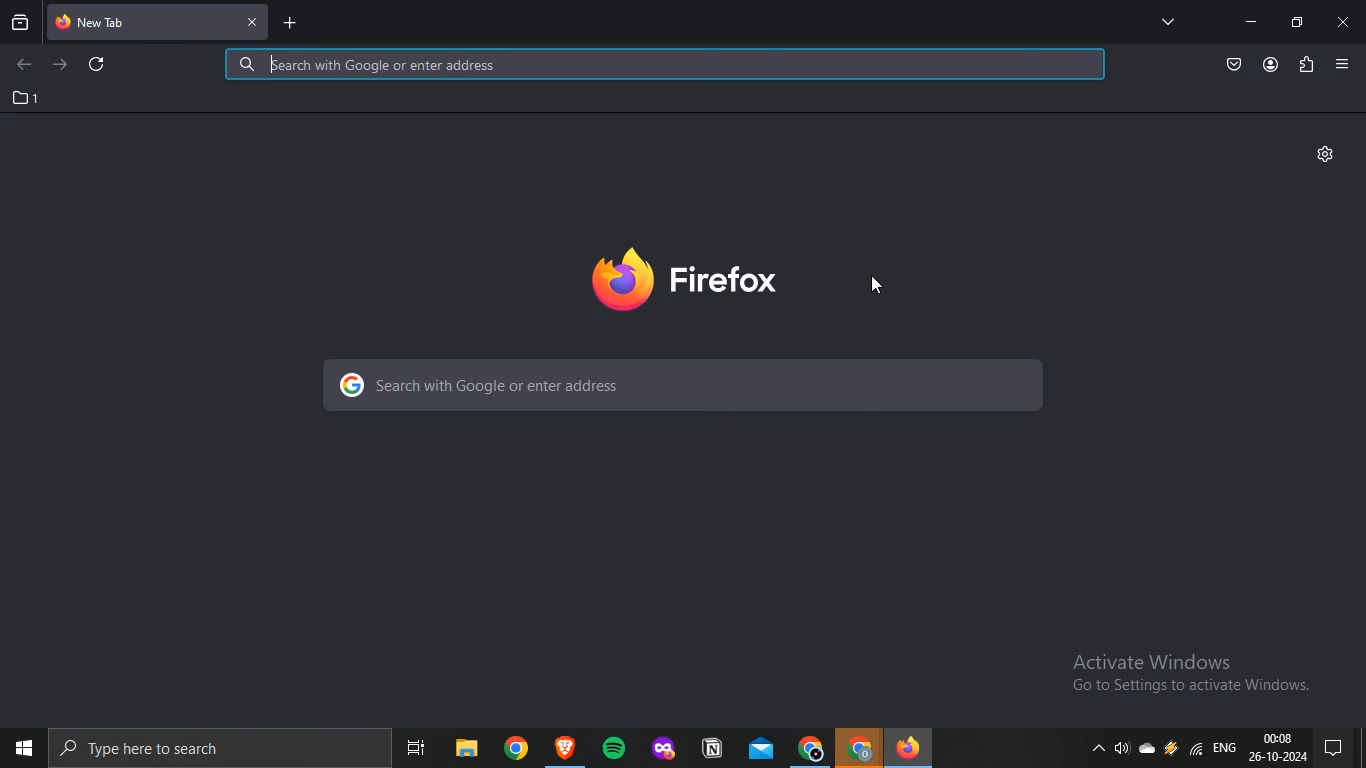  Describe the element at coordinates (808, 747) in the screenshot. I see `chrome` at that location.